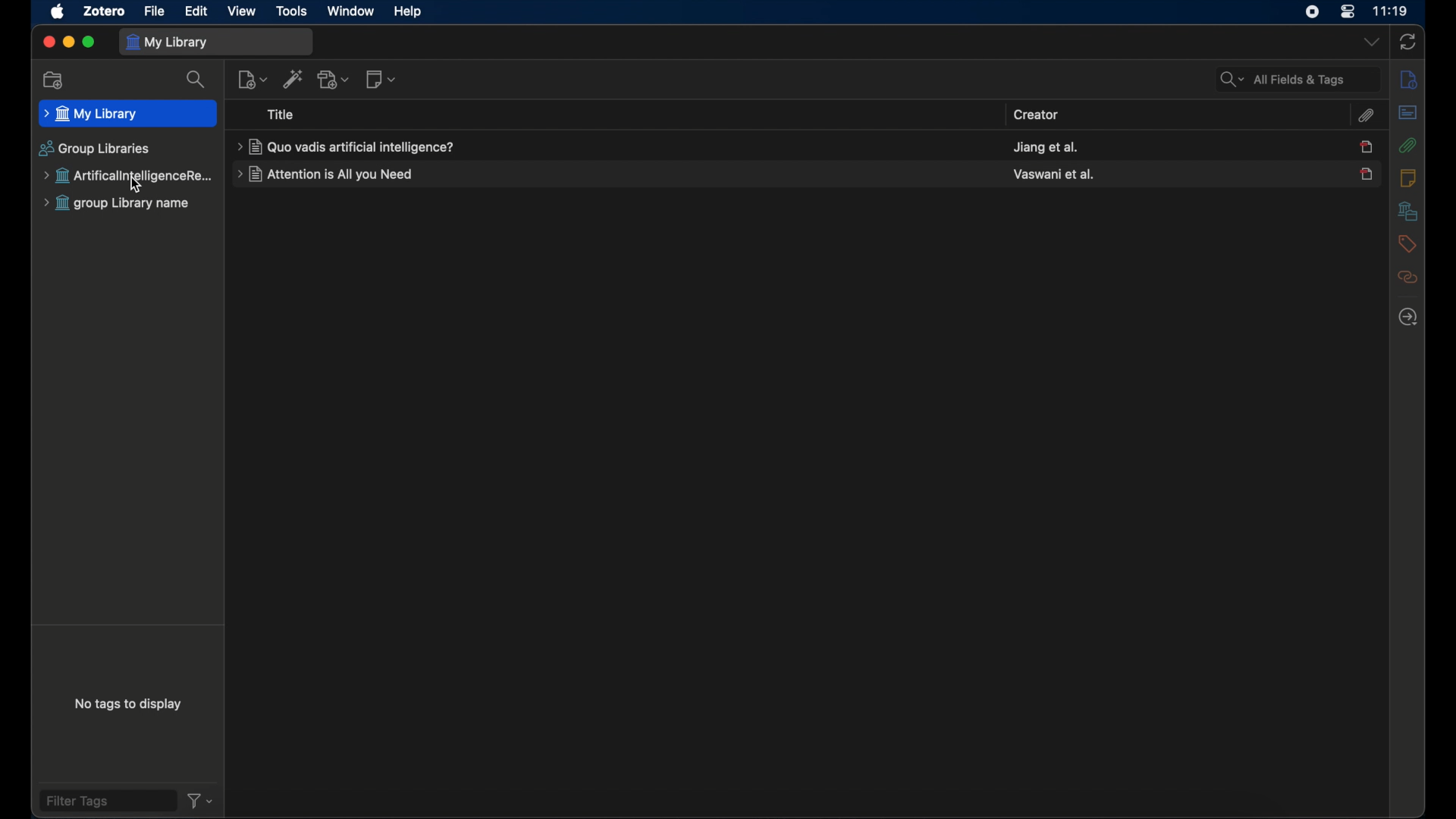 This screenshot has height=819, width=1456. What do you see at coordinates (1407, 177) in the screenshot?
I see `notes` at bounding box center [1407, 177].